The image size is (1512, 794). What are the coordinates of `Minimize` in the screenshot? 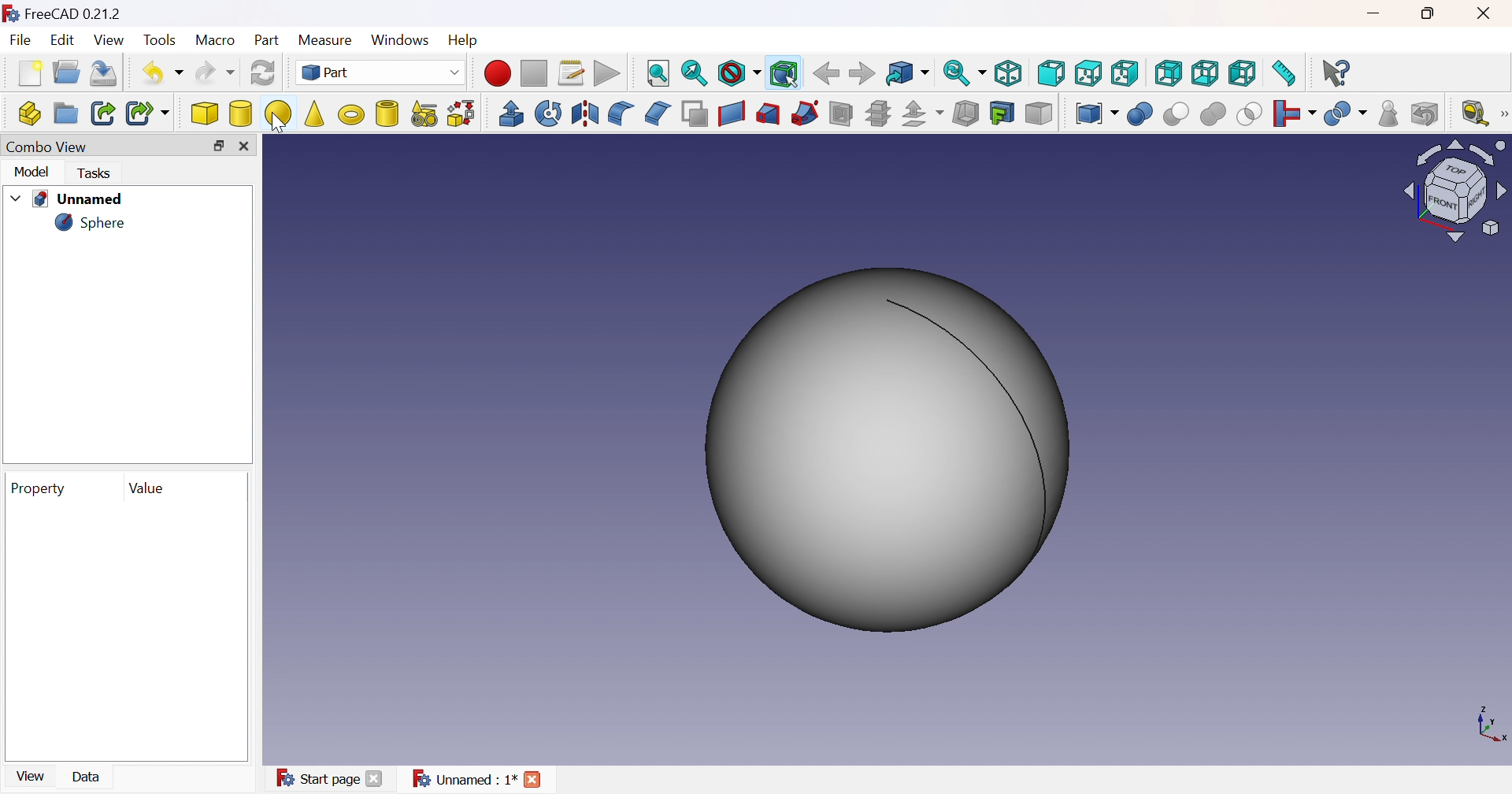 It's located at (1379, 15).